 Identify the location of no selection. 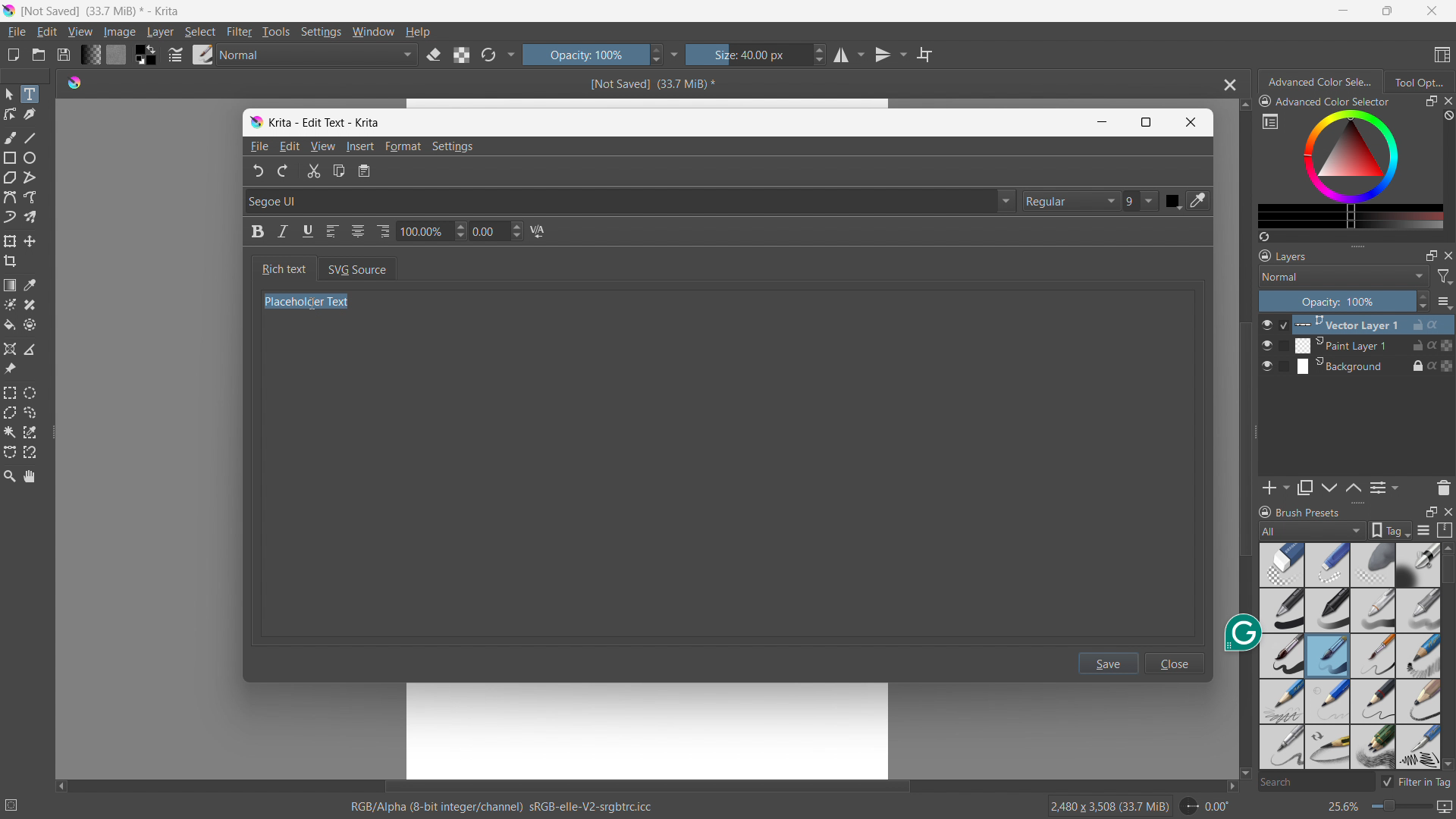
(18, 802).